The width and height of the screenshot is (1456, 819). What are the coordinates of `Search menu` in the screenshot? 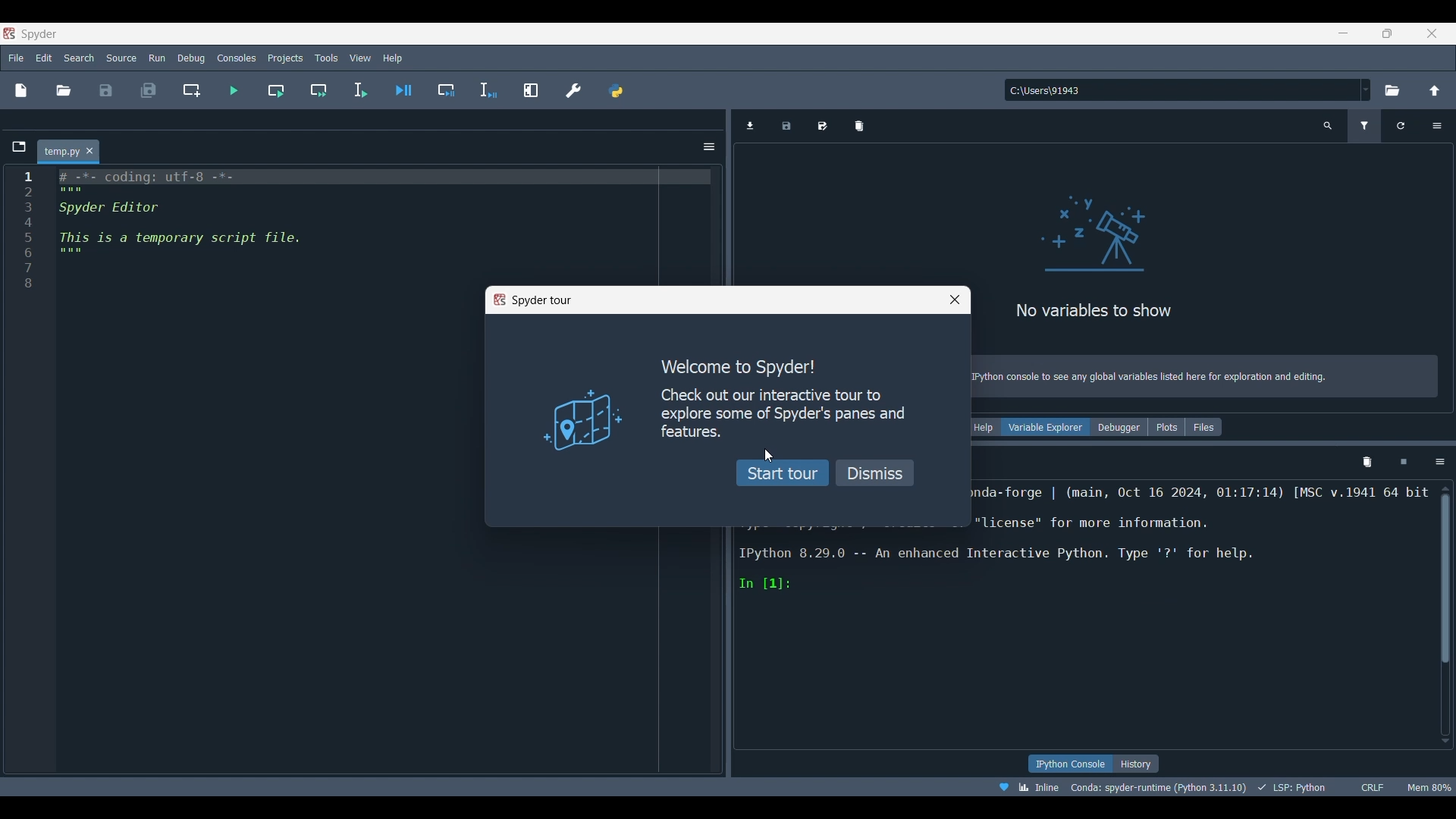 It's located at (78, 58).